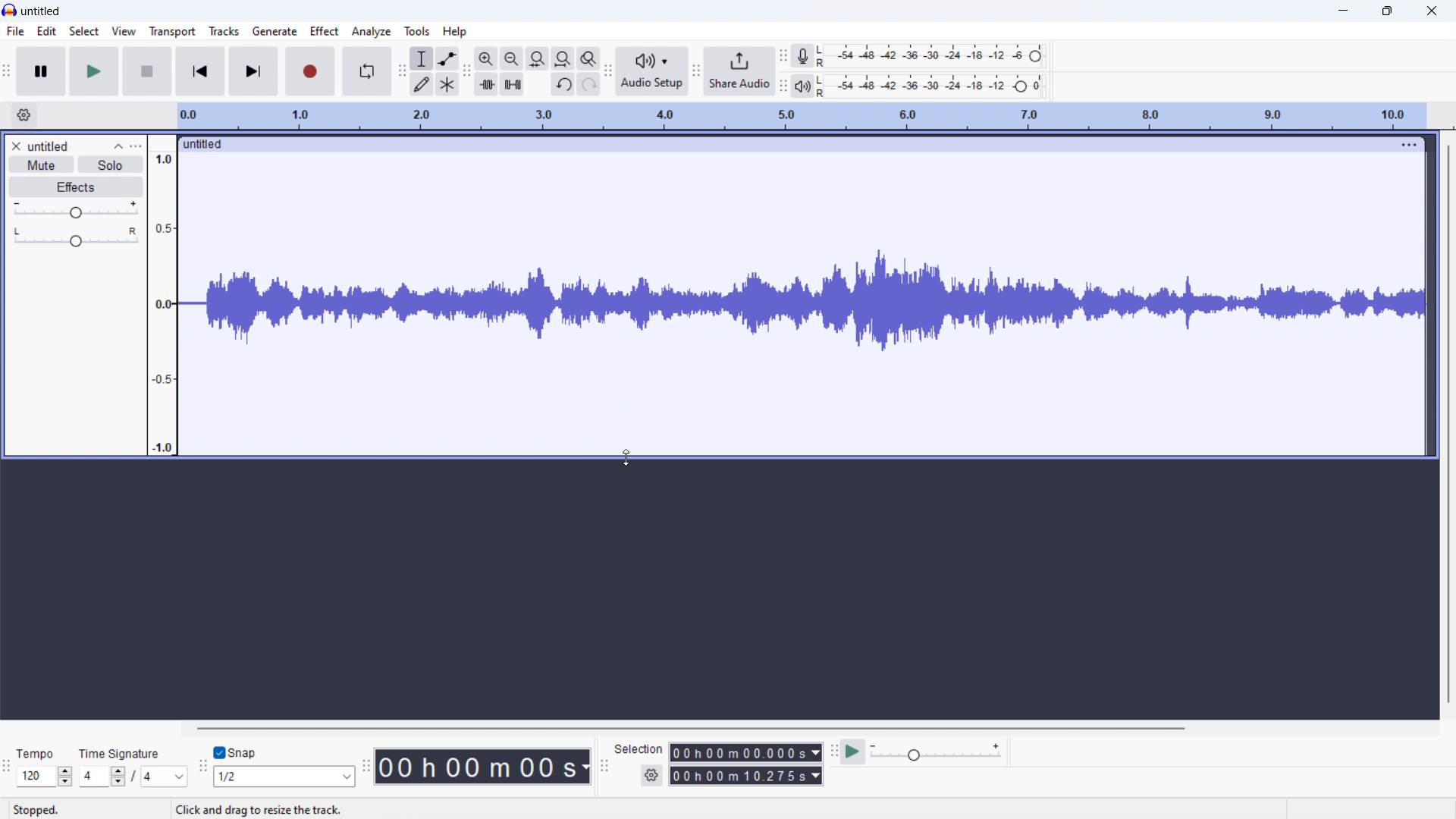 The width and height of the screenshot is (1456, 819). Describe the element at coordinates (41, 164) in the screenshot. I see `mute` at that location.